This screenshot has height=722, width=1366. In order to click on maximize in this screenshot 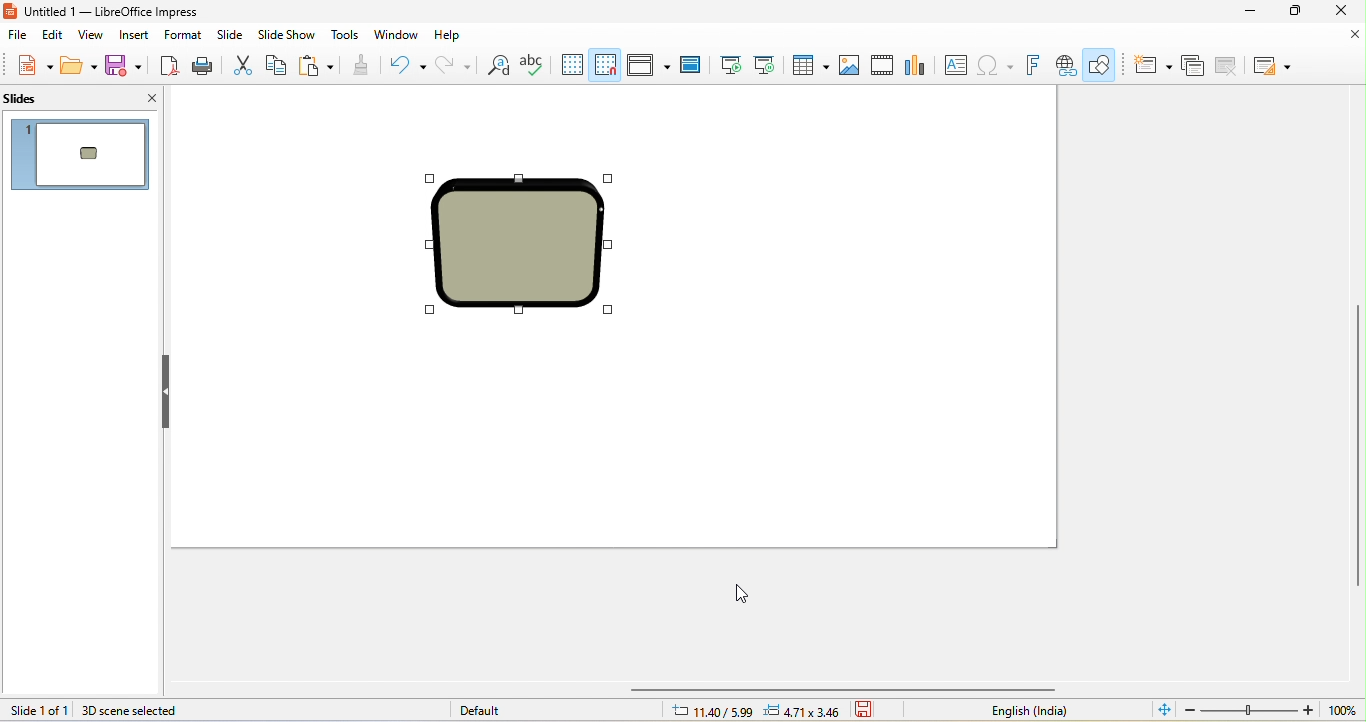, I will do `click(1296, 11)`.